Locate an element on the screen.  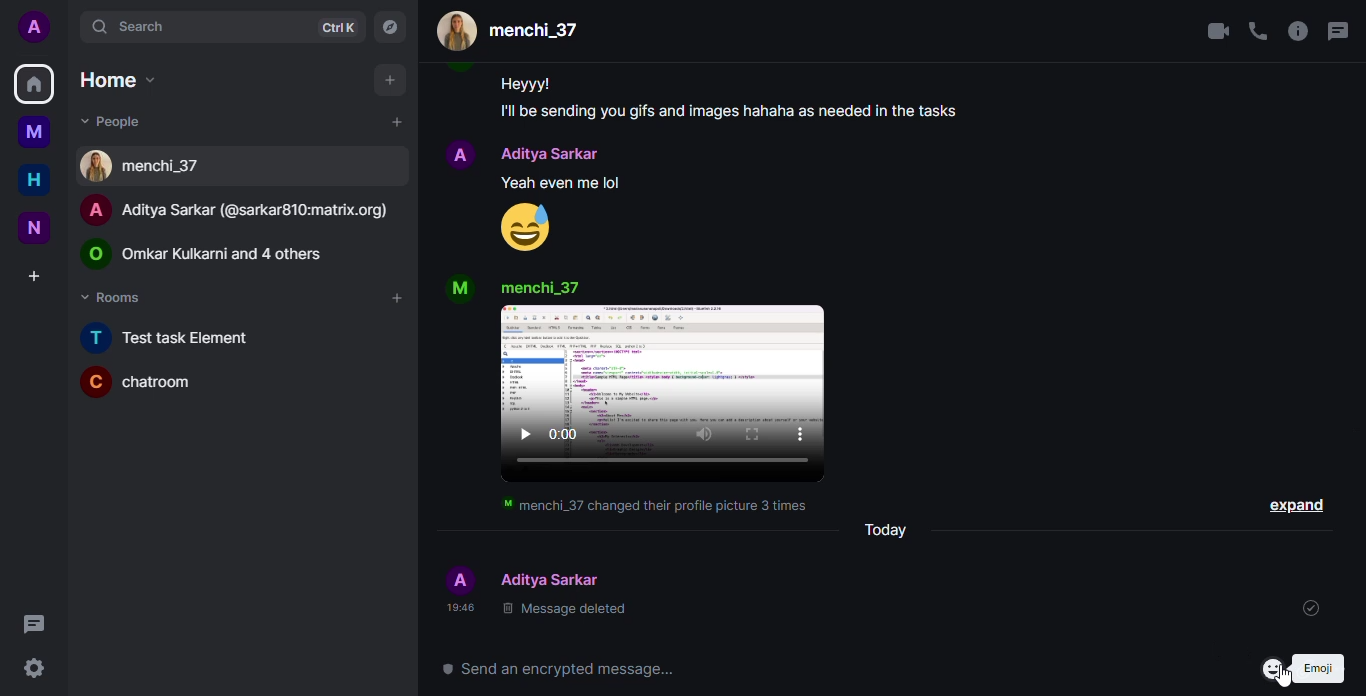
threads is located at coordinates (36, 624).